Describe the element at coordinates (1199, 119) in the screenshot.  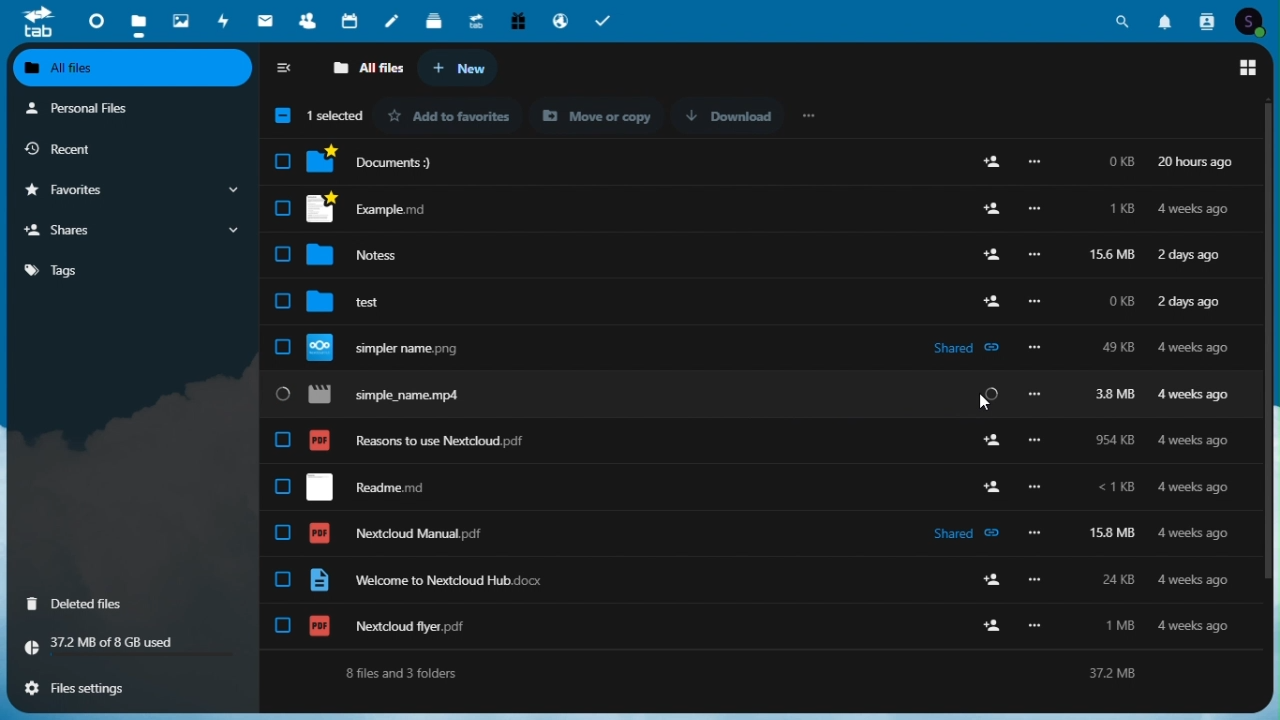
I see `Modified` at that location.